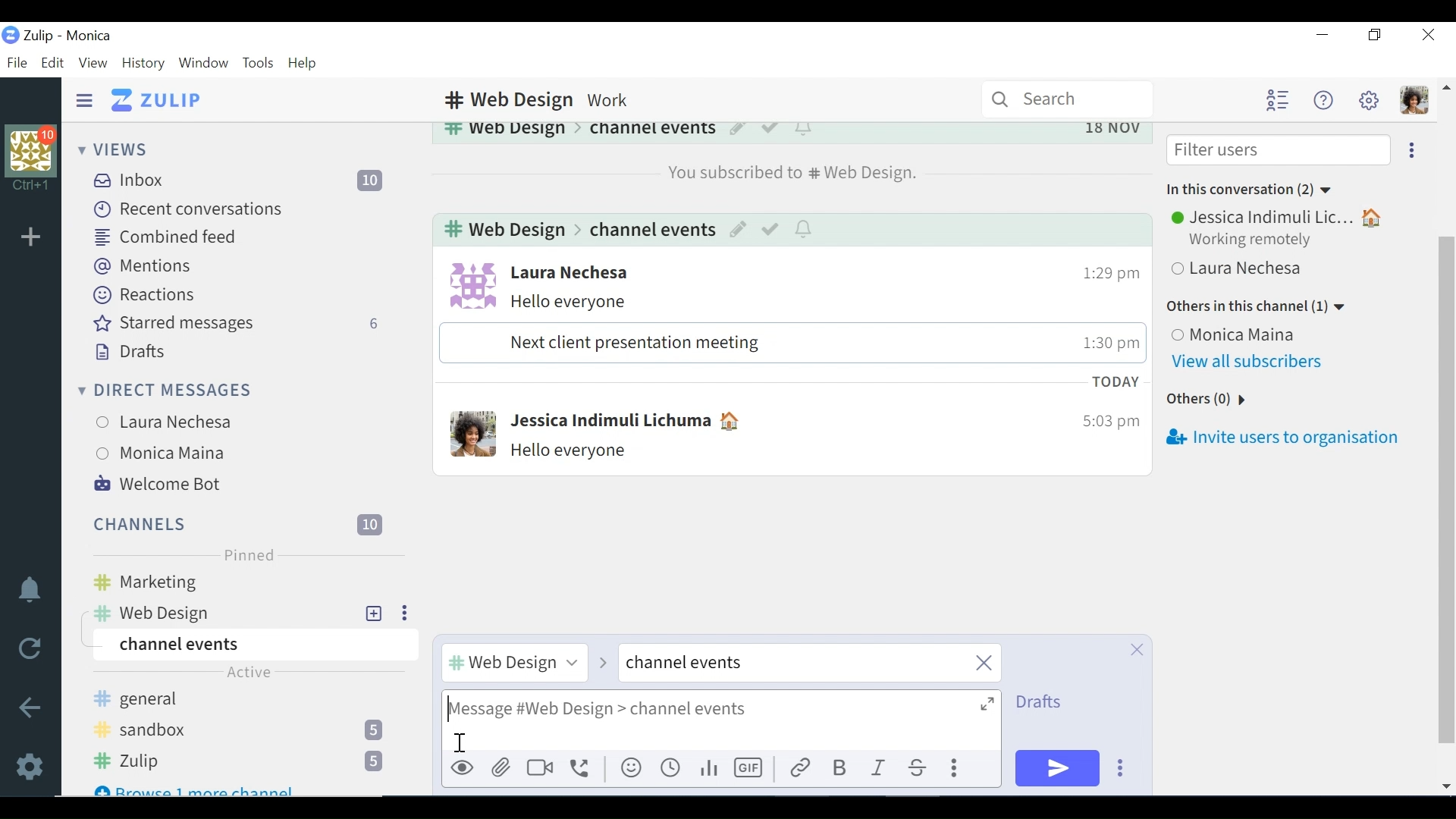 Image resolution: width=1456 pixels, height=819 pixels. What do you see at coordinates (738, 231) in the screenshot?
I see `edit` at bounding box center [738, 231].